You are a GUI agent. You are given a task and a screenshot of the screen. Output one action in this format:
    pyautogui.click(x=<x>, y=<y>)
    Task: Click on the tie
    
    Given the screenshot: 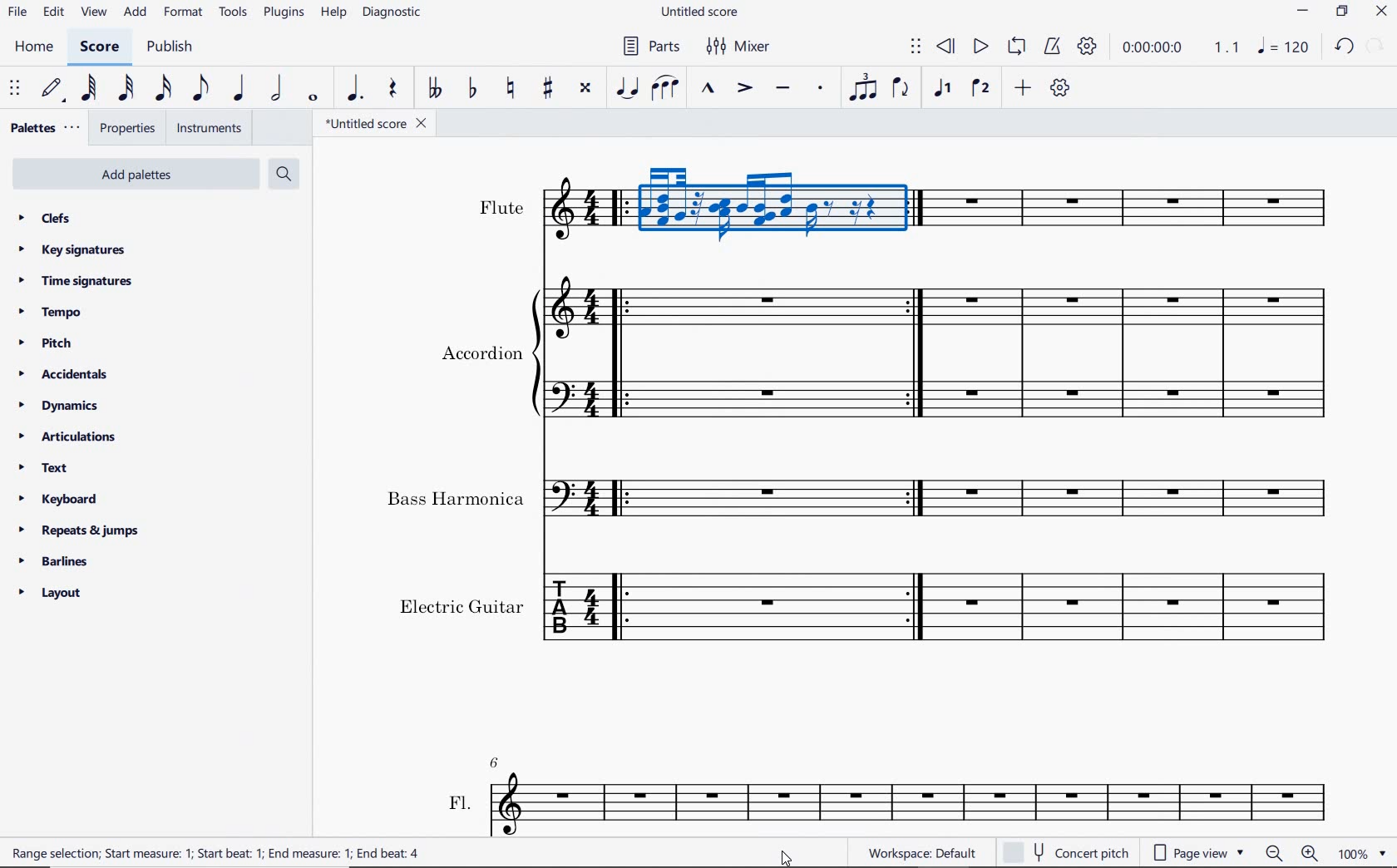 What is the action you would take?
    pyautogui.click(x=628, y=88)
    